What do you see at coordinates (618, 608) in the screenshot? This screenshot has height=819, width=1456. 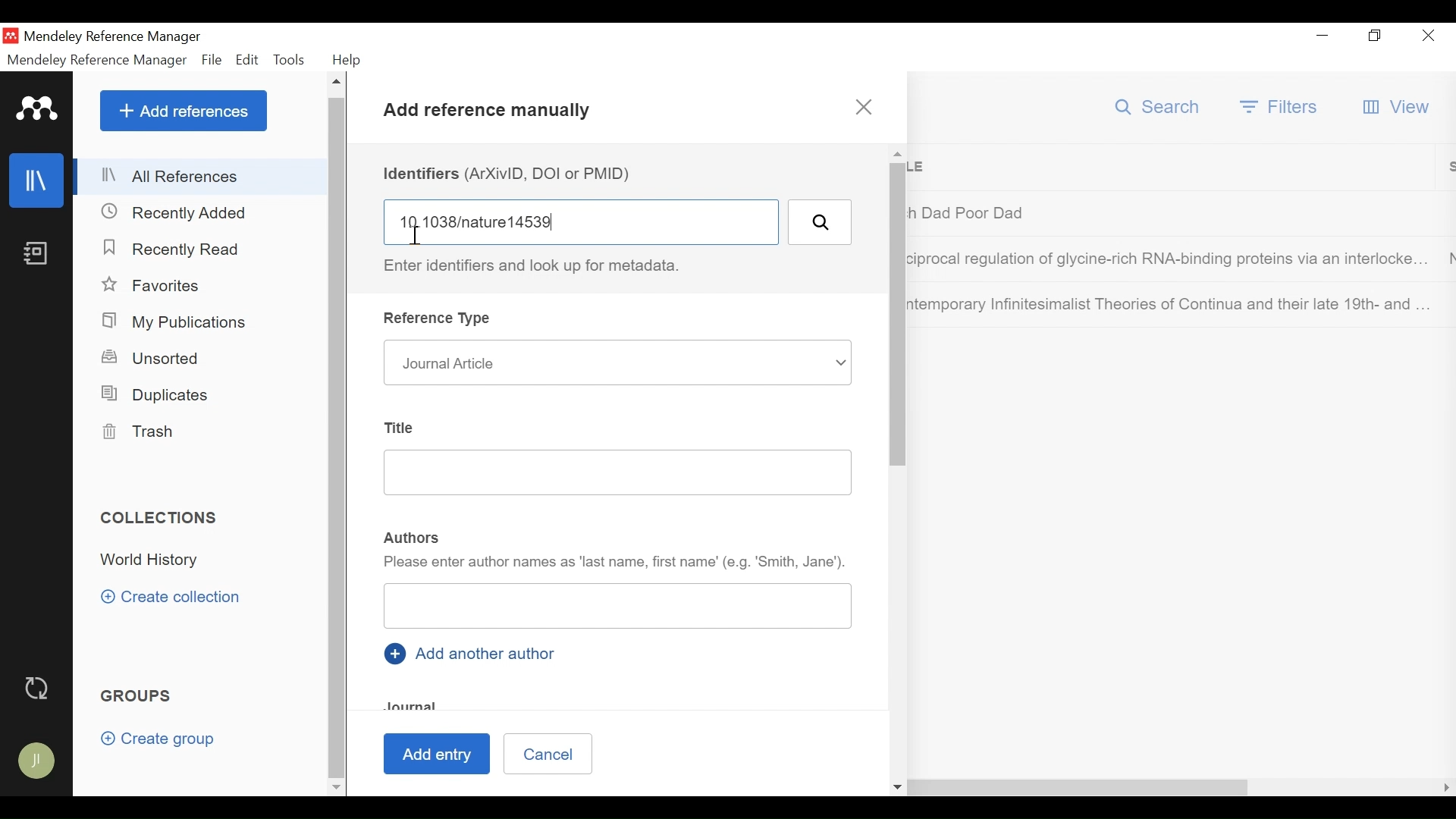 I see `Name box` at bounding box center [618, 608].